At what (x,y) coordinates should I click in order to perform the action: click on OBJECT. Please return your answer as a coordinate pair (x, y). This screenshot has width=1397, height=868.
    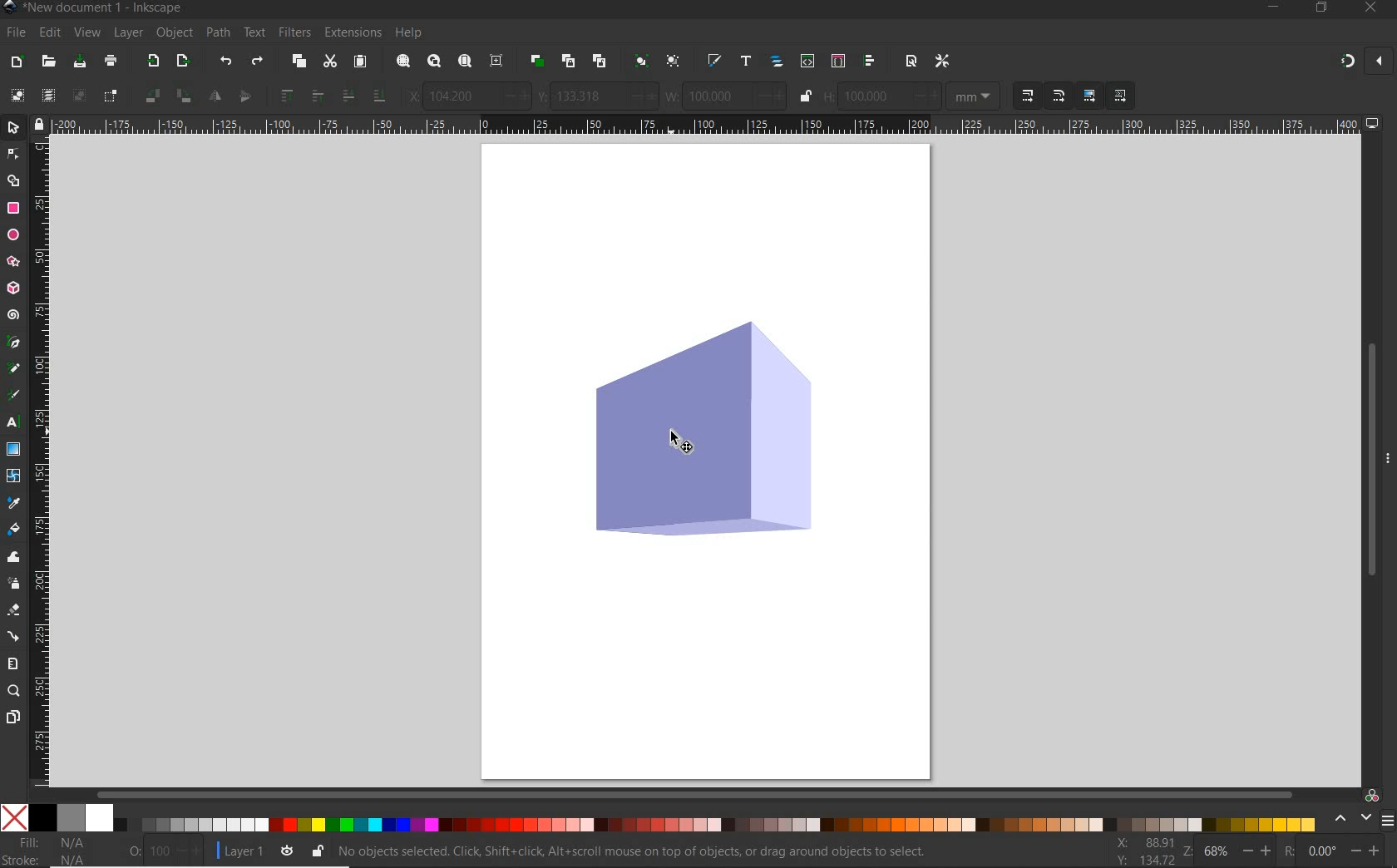
    Looking at the image, I should click on (176, 33).